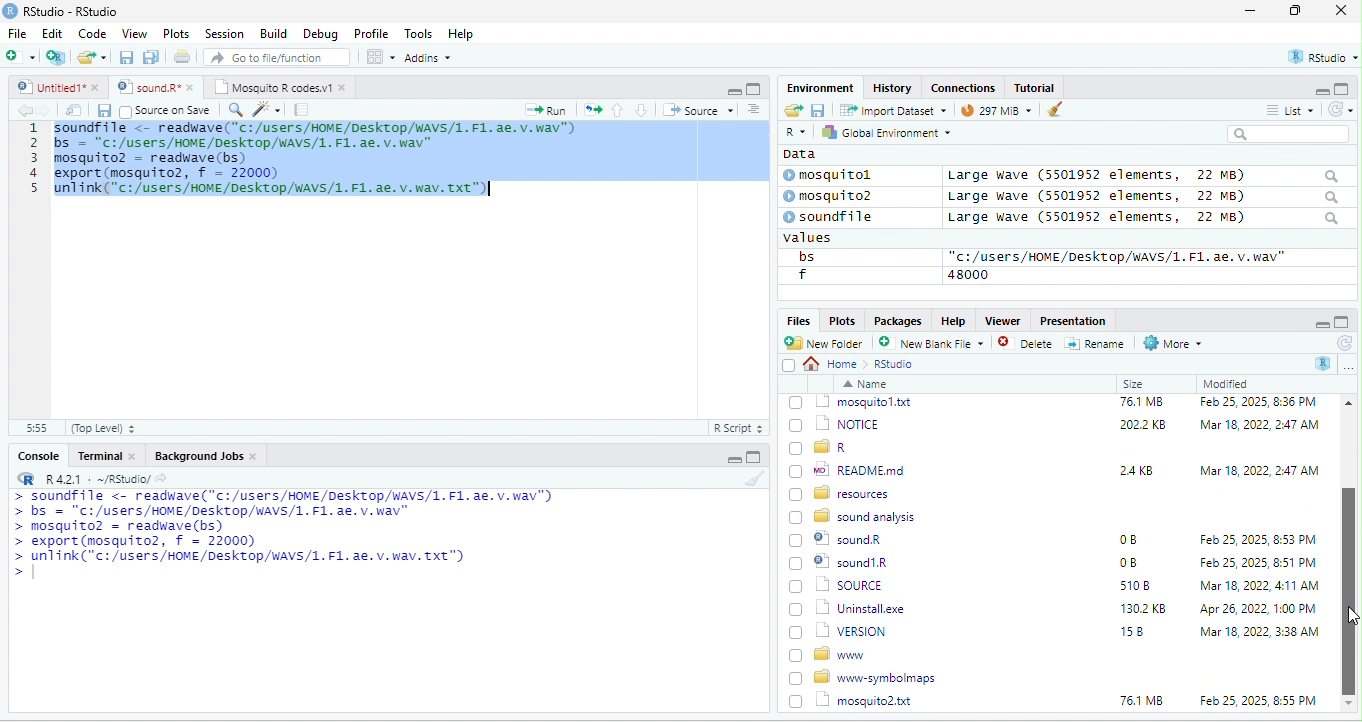  I want to click on more, so click(1348, 366).